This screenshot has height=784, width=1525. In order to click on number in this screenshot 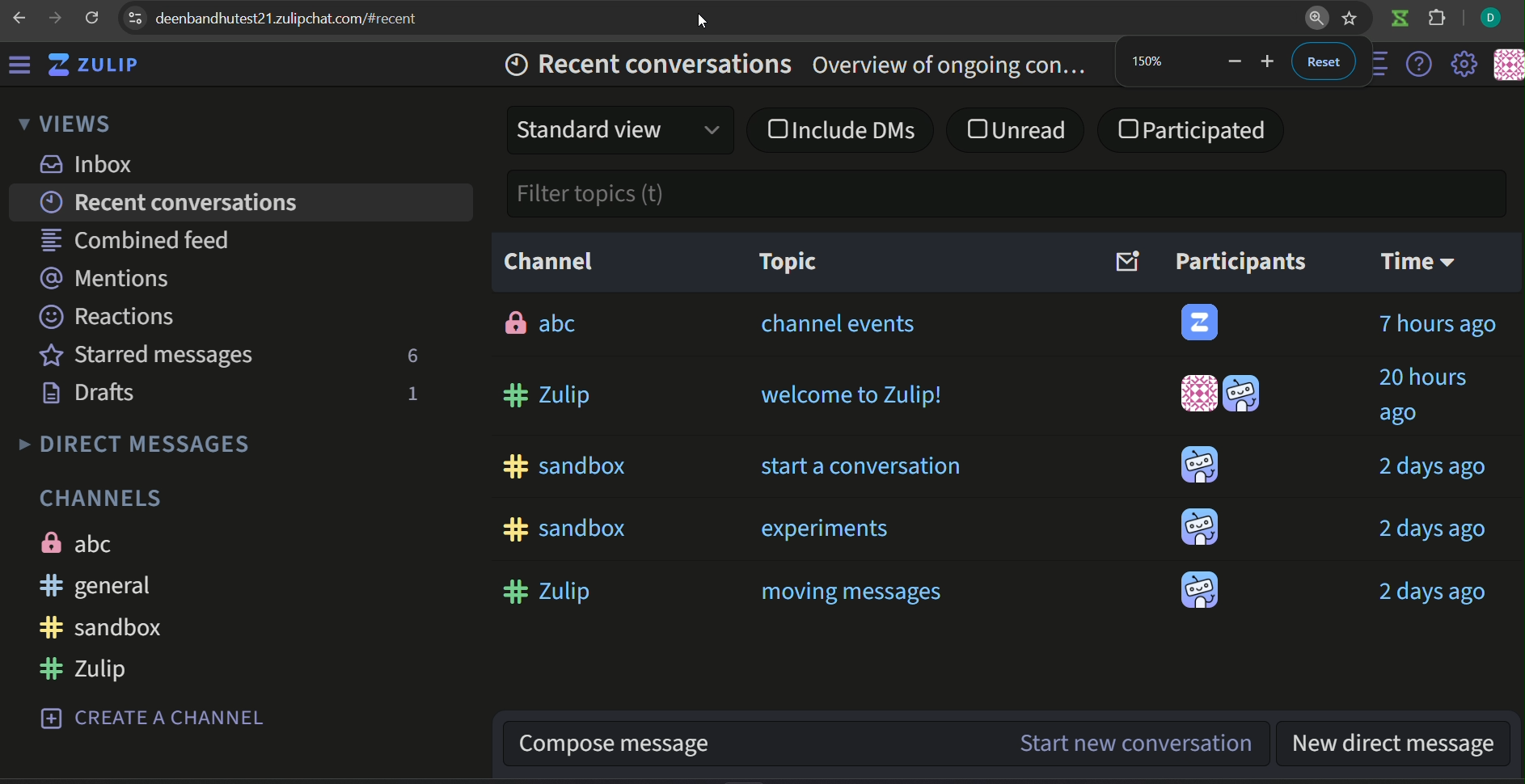, I will do `click(1152, 61)`.